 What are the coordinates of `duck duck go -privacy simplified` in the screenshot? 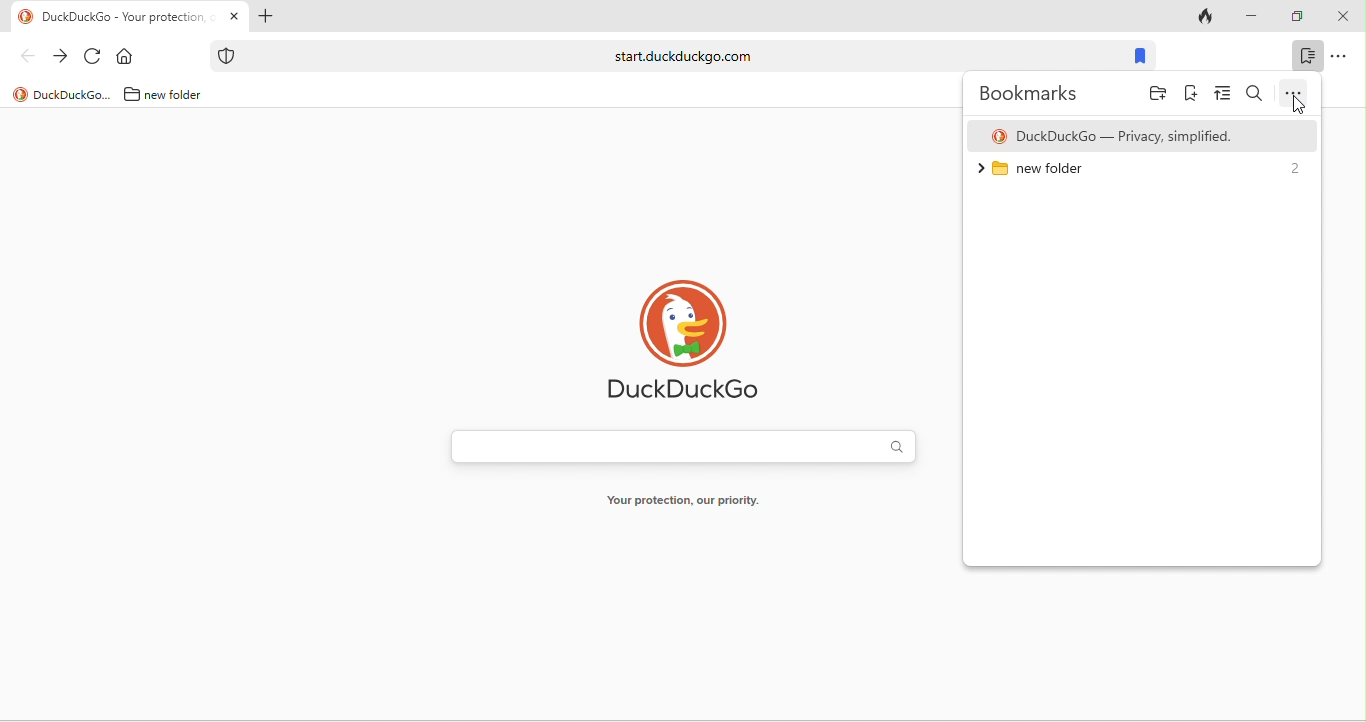 It's located at (1127, 137).